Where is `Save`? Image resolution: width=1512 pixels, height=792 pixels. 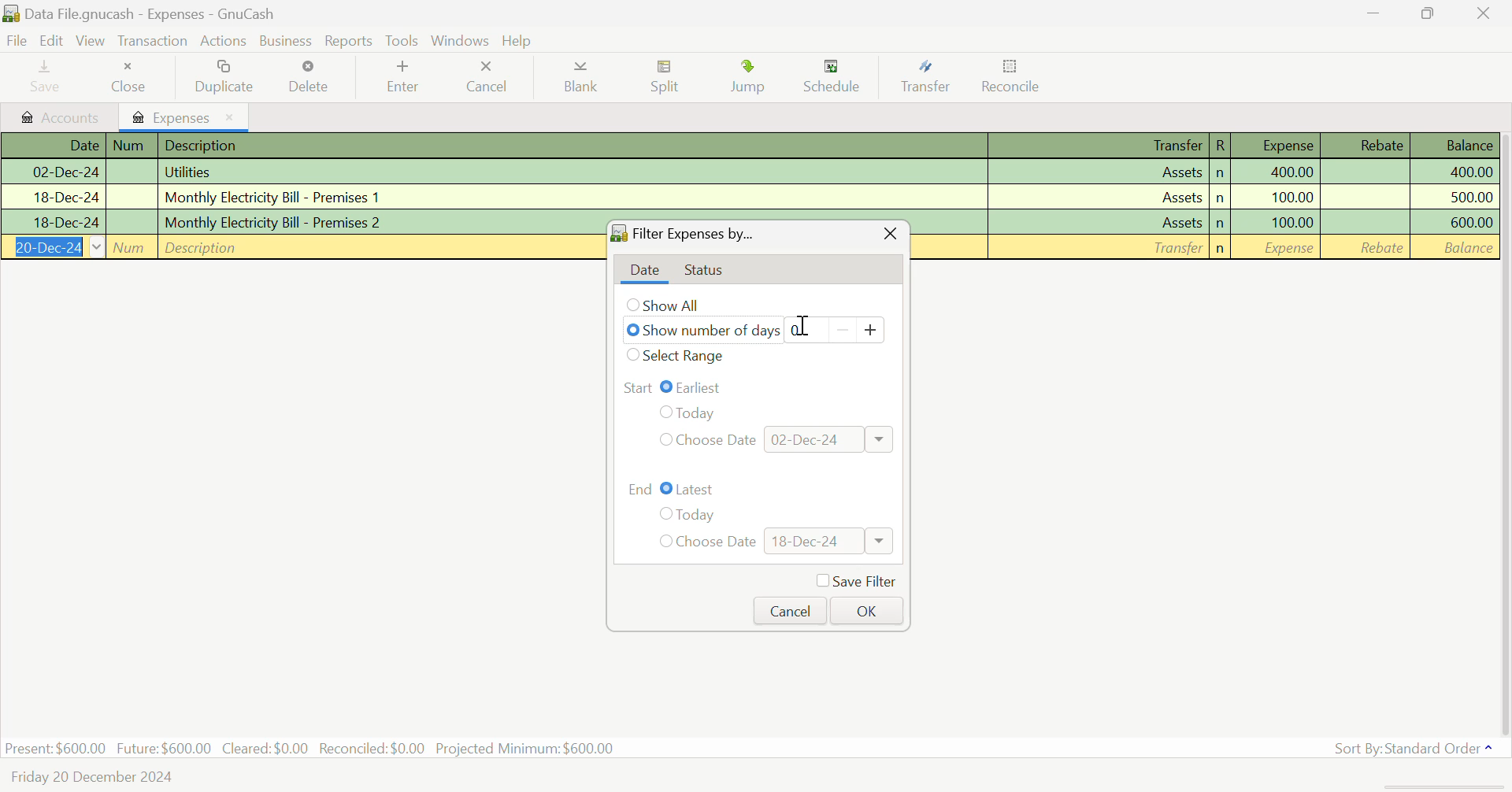 Save is located at coordinates (47, 77).